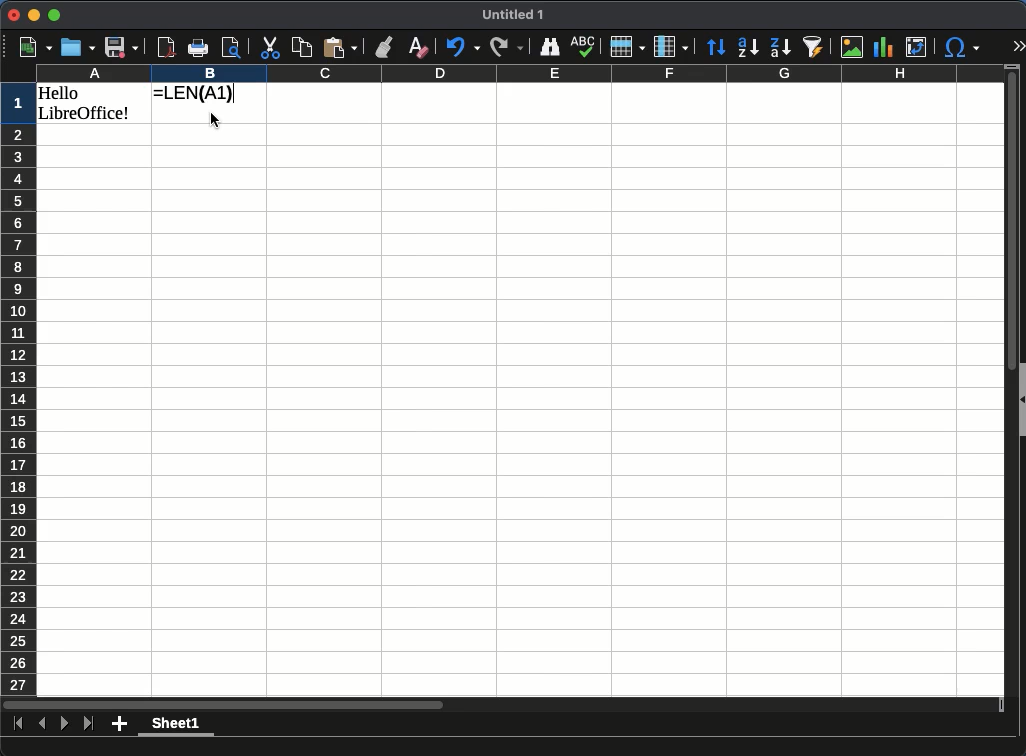 The width and height of the screenshot is (1026, 756). What do you see at coordinates (914, 45) in the screenshot?
I see `pivot table` at bounding box center [914, 45].